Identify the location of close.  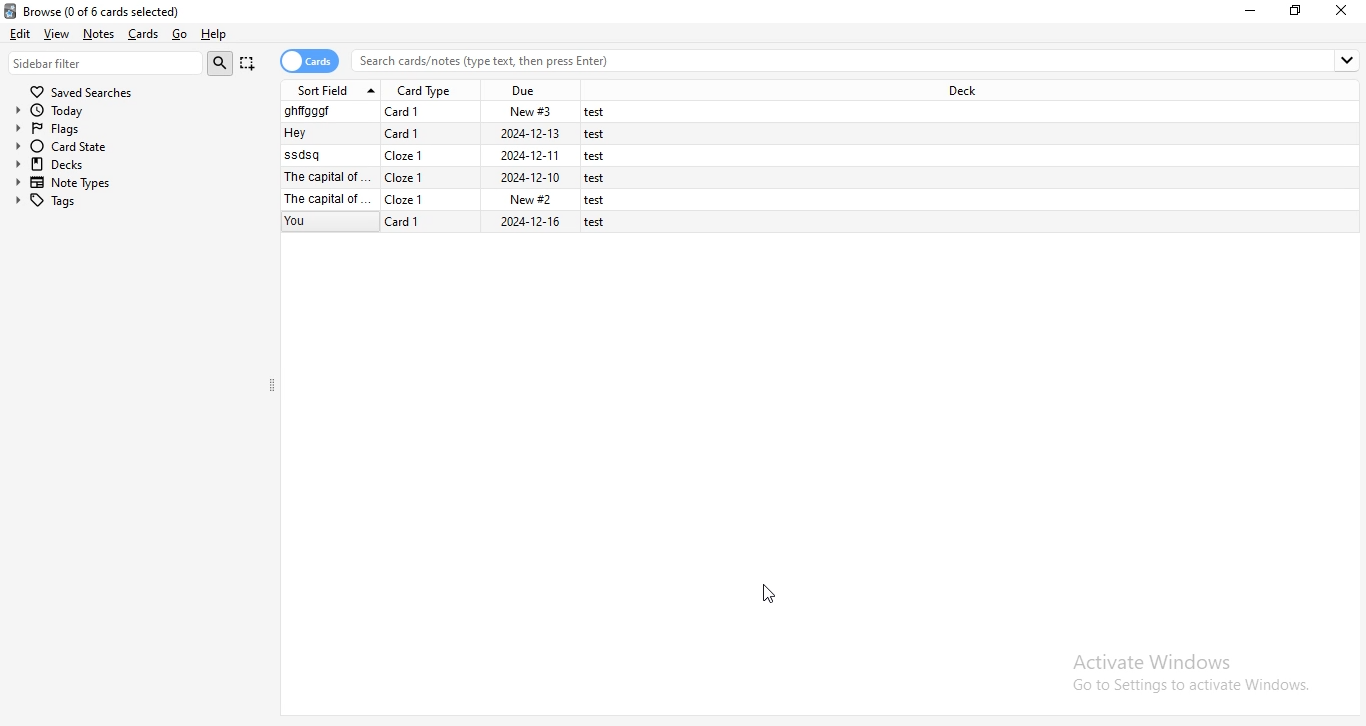
(1343, 11).